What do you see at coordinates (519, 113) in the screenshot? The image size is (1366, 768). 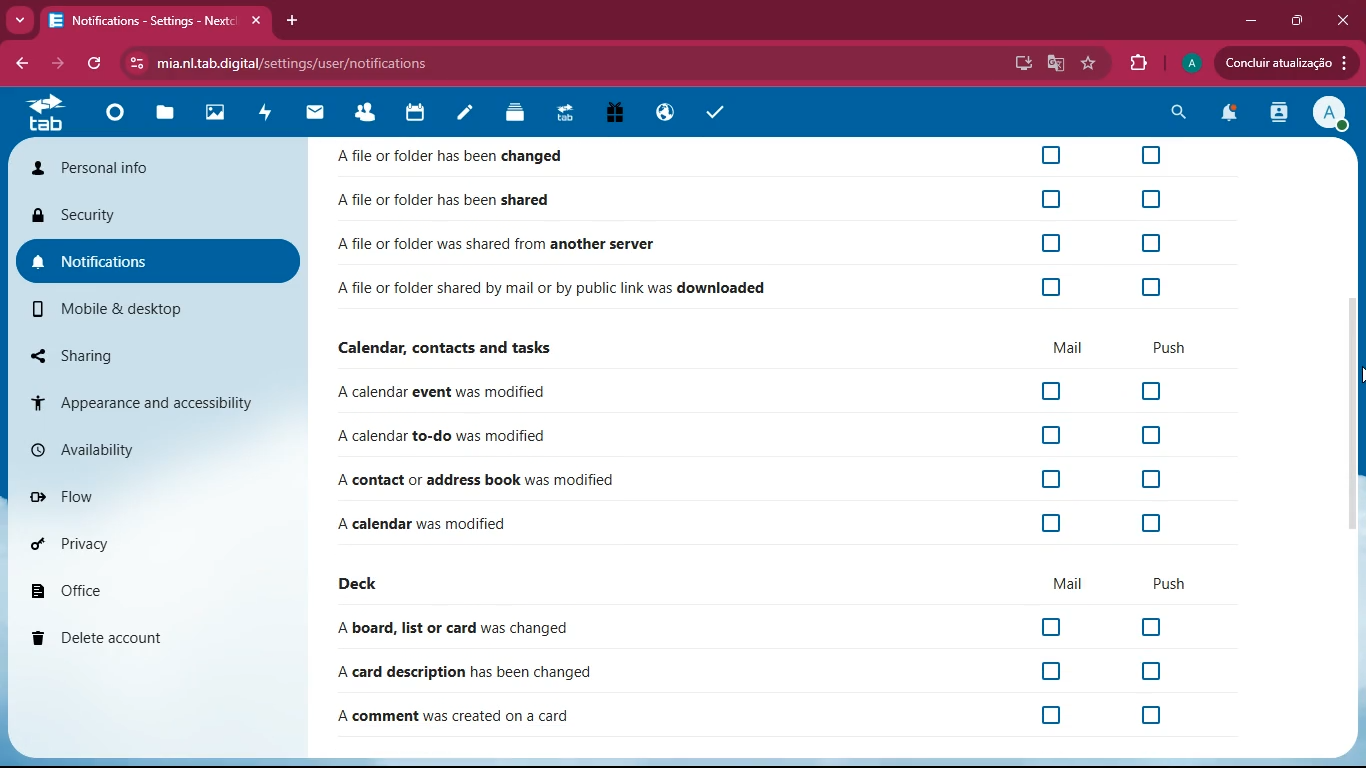 I see `layers` at bounding box center [519, 113].